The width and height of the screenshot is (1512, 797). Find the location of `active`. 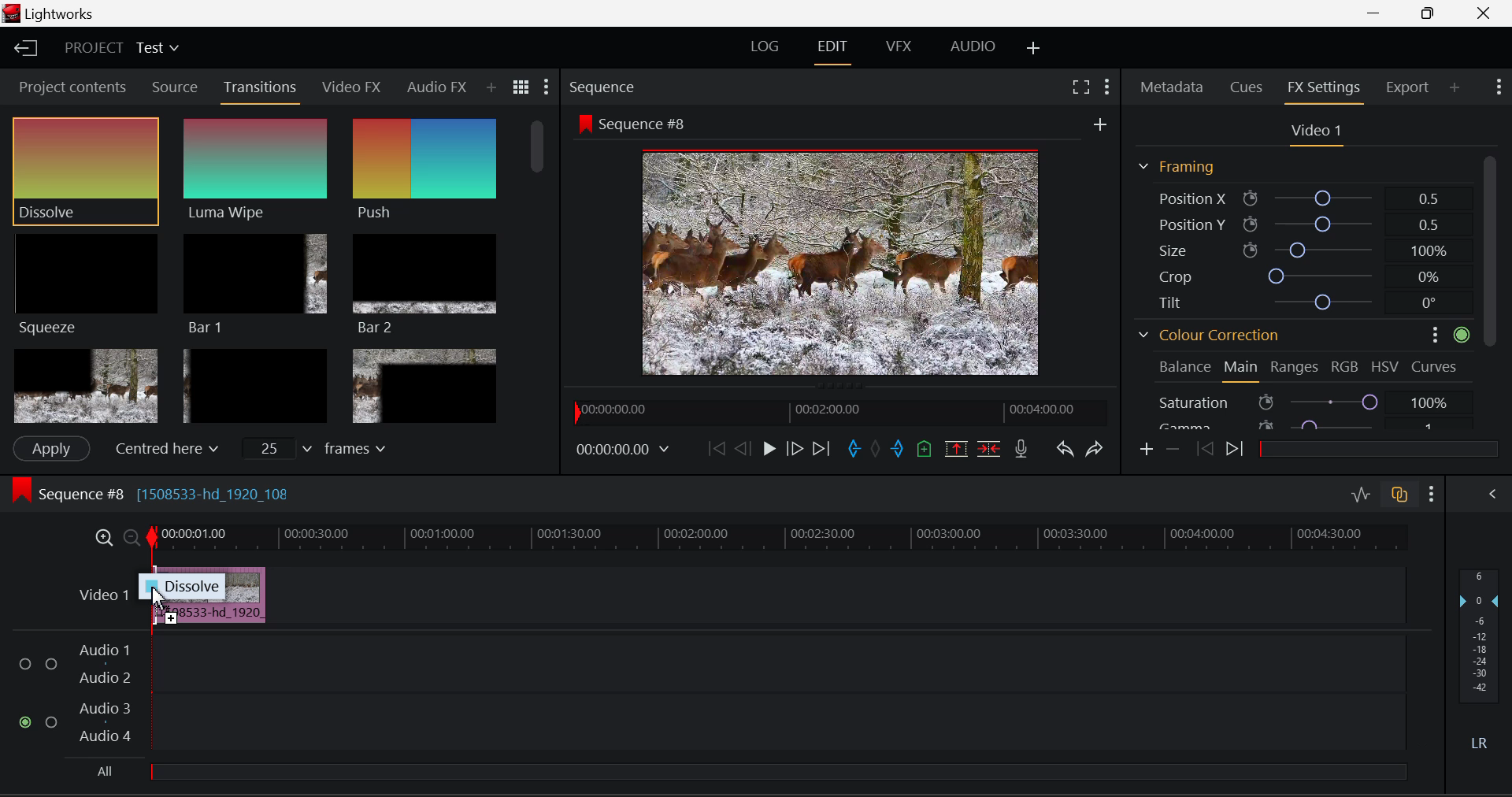

active is located at coordinates (1462, 334).